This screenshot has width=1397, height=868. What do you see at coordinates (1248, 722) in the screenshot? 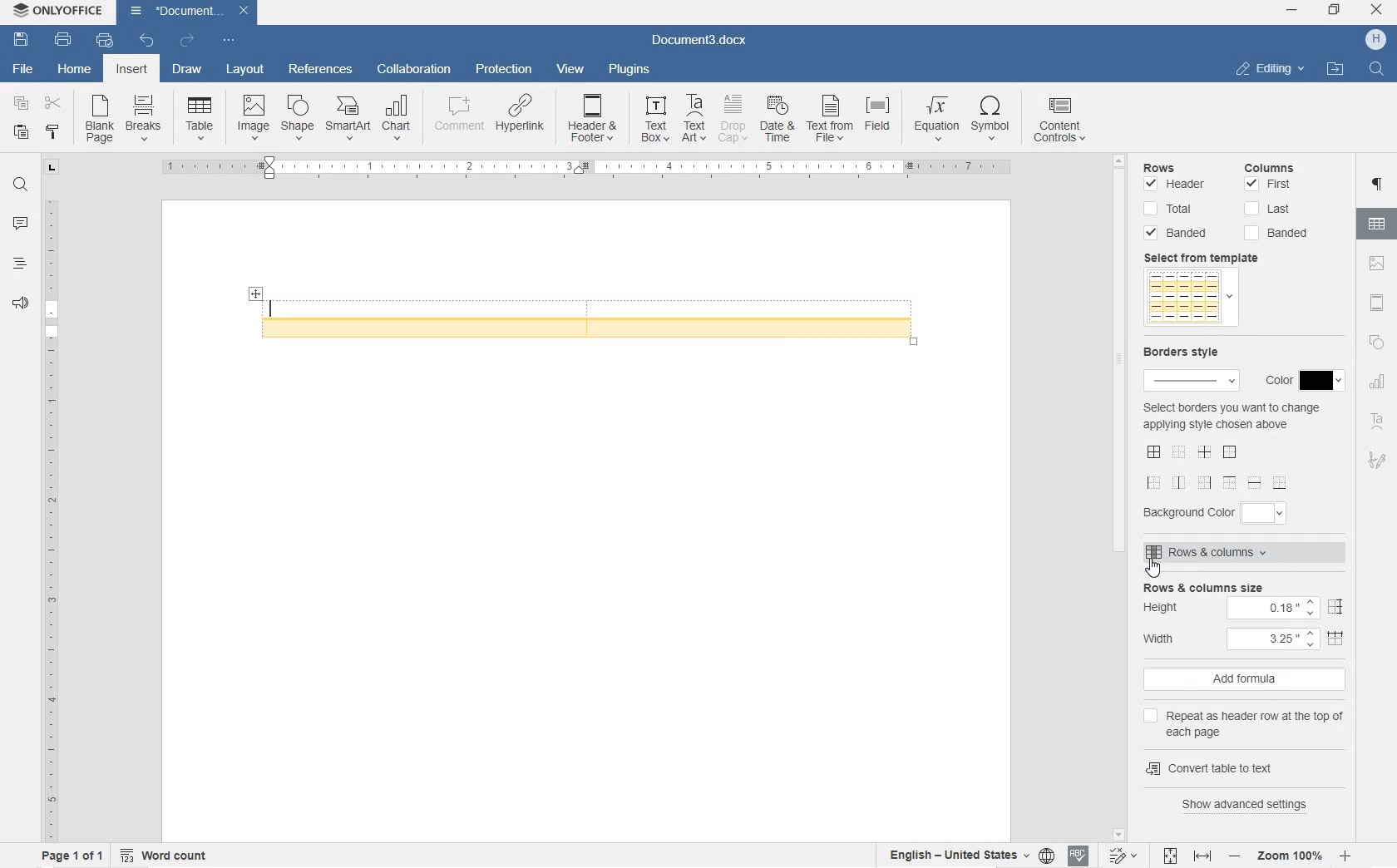
I see `repeat as header row at the top of each page` at bounding box center [1248, 722].